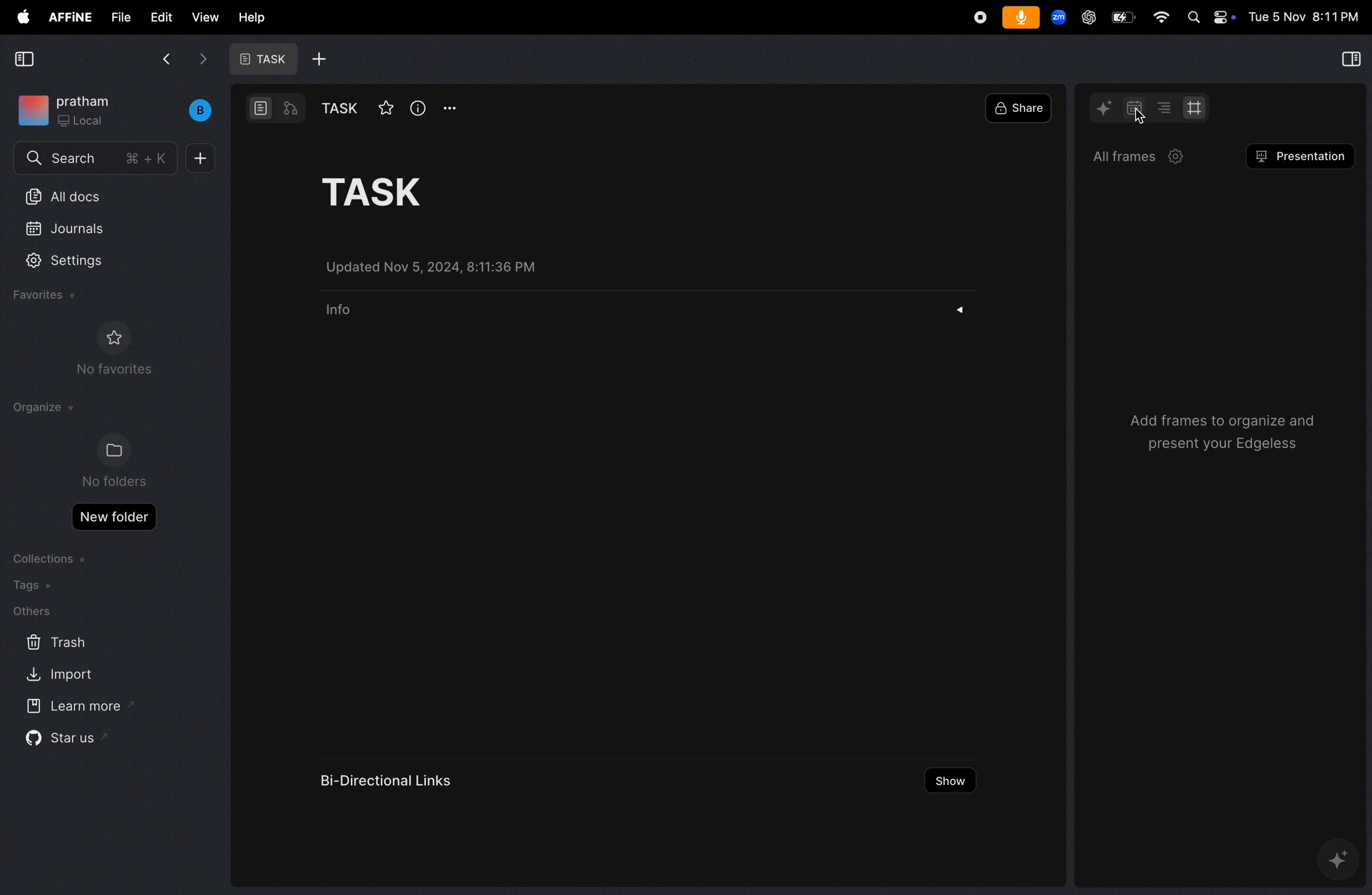 Image resolution: width=1372 pixels, height=895 pixels. I want to click on no folders, so click(111, 462).